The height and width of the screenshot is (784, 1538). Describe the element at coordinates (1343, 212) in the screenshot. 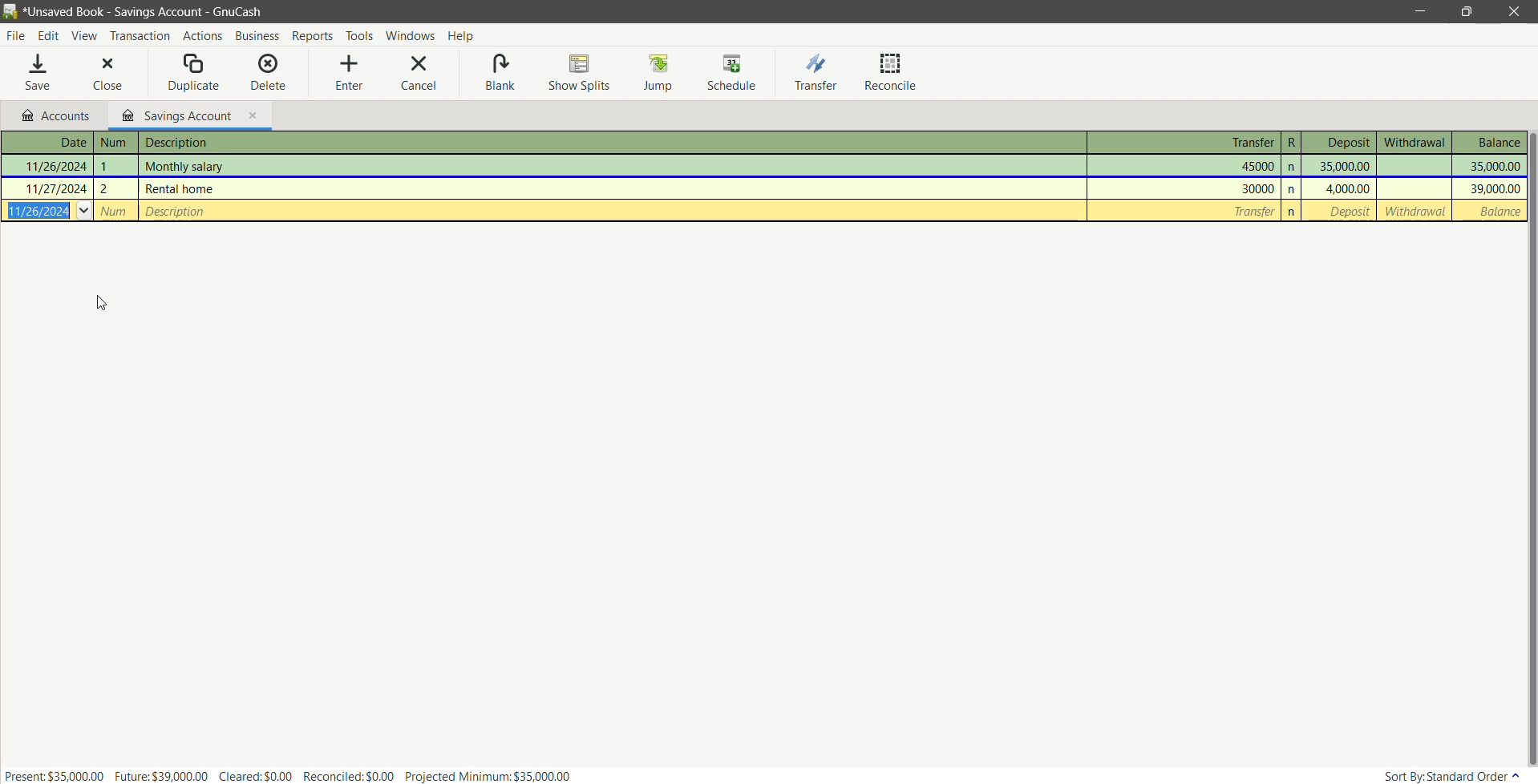

I see `deposit` at that location.